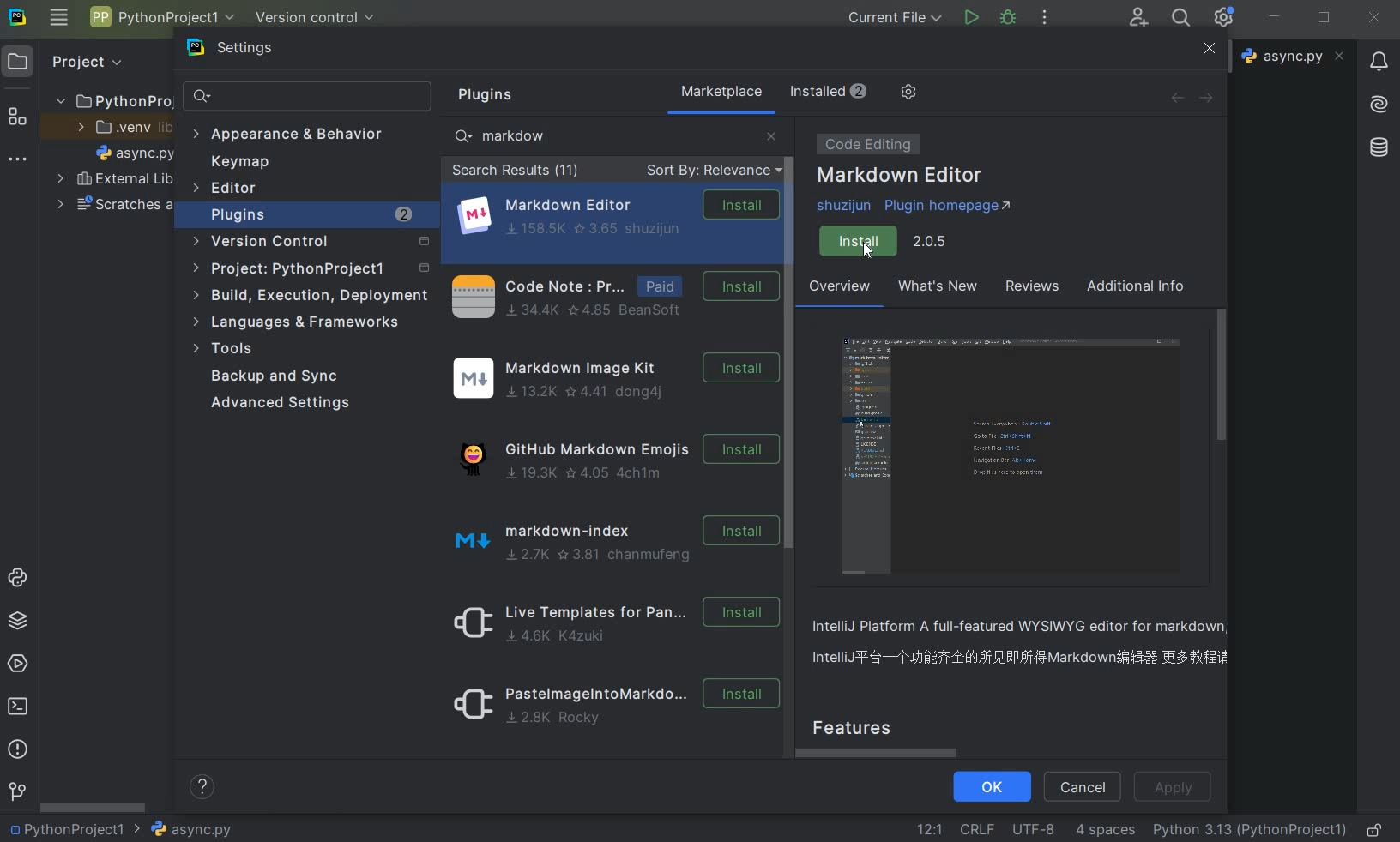 Image resolution: width=1400 pixels, height=842 pixels. I want to click on live template for pan, so click(611, 622).